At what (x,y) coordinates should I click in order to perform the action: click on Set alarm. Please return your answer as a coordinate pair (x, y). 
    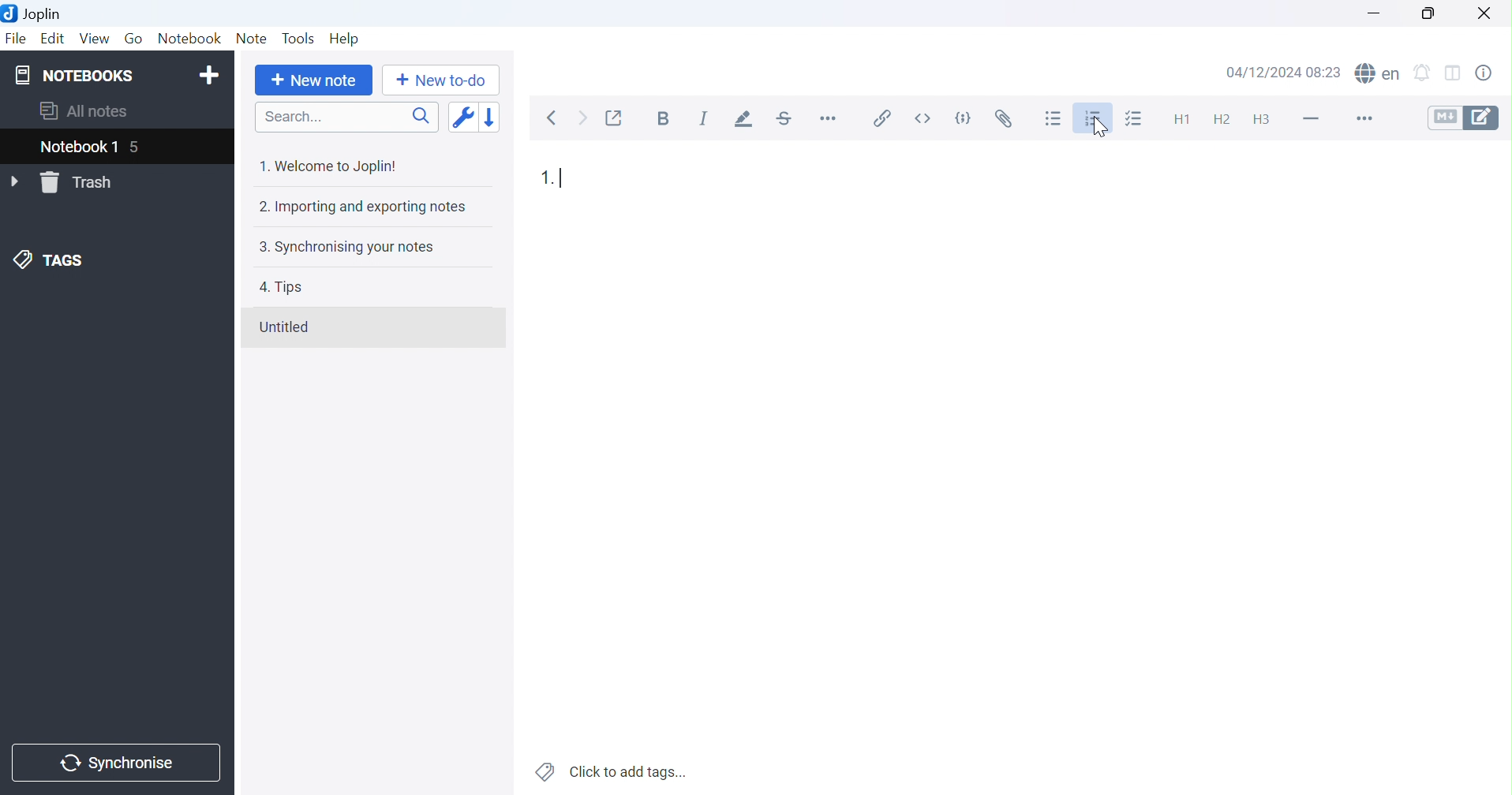
    Looking at the image, I should click on (1428, 70).